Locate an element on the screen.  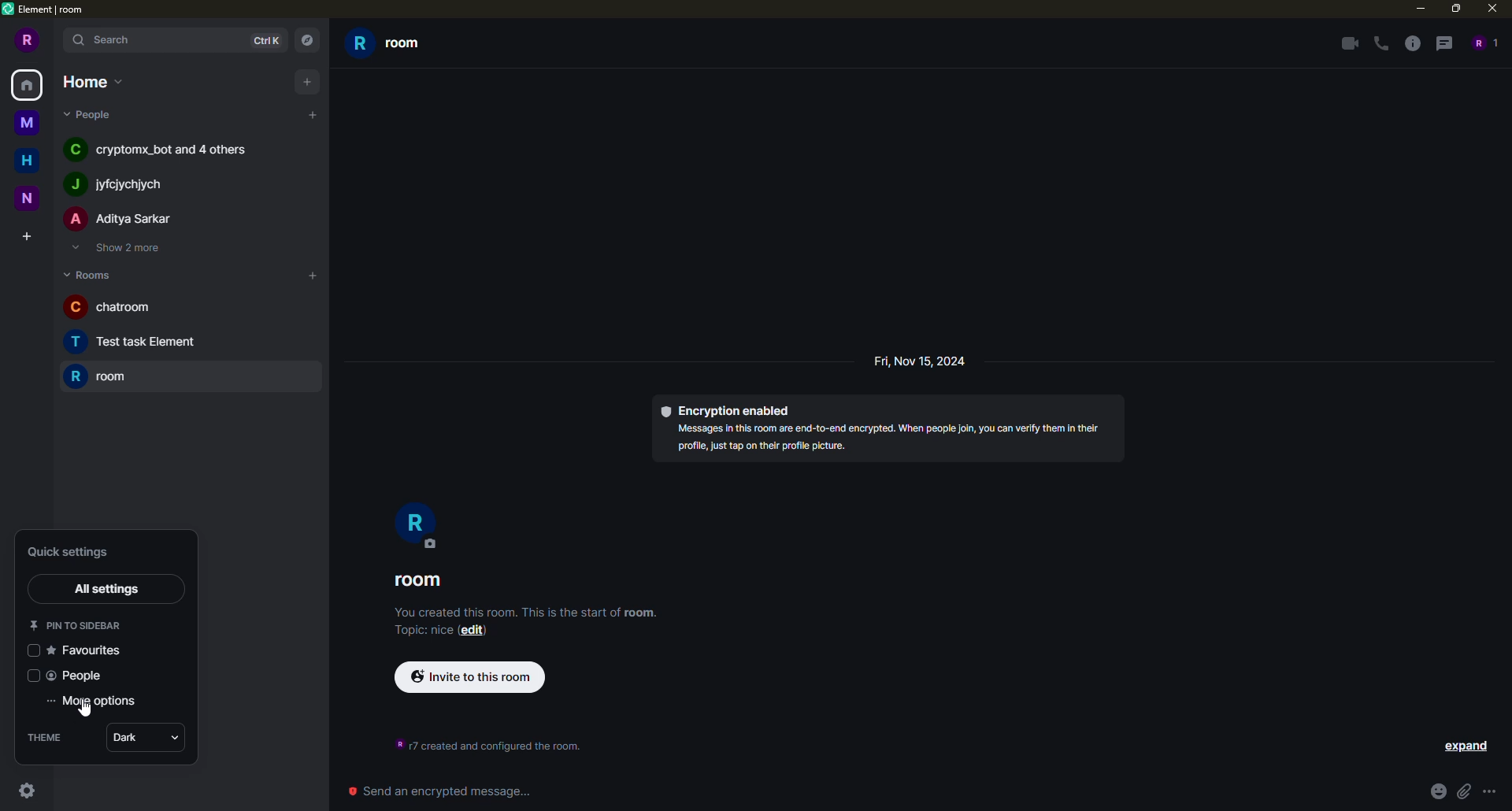
people is located at coordinates (1482, 43).